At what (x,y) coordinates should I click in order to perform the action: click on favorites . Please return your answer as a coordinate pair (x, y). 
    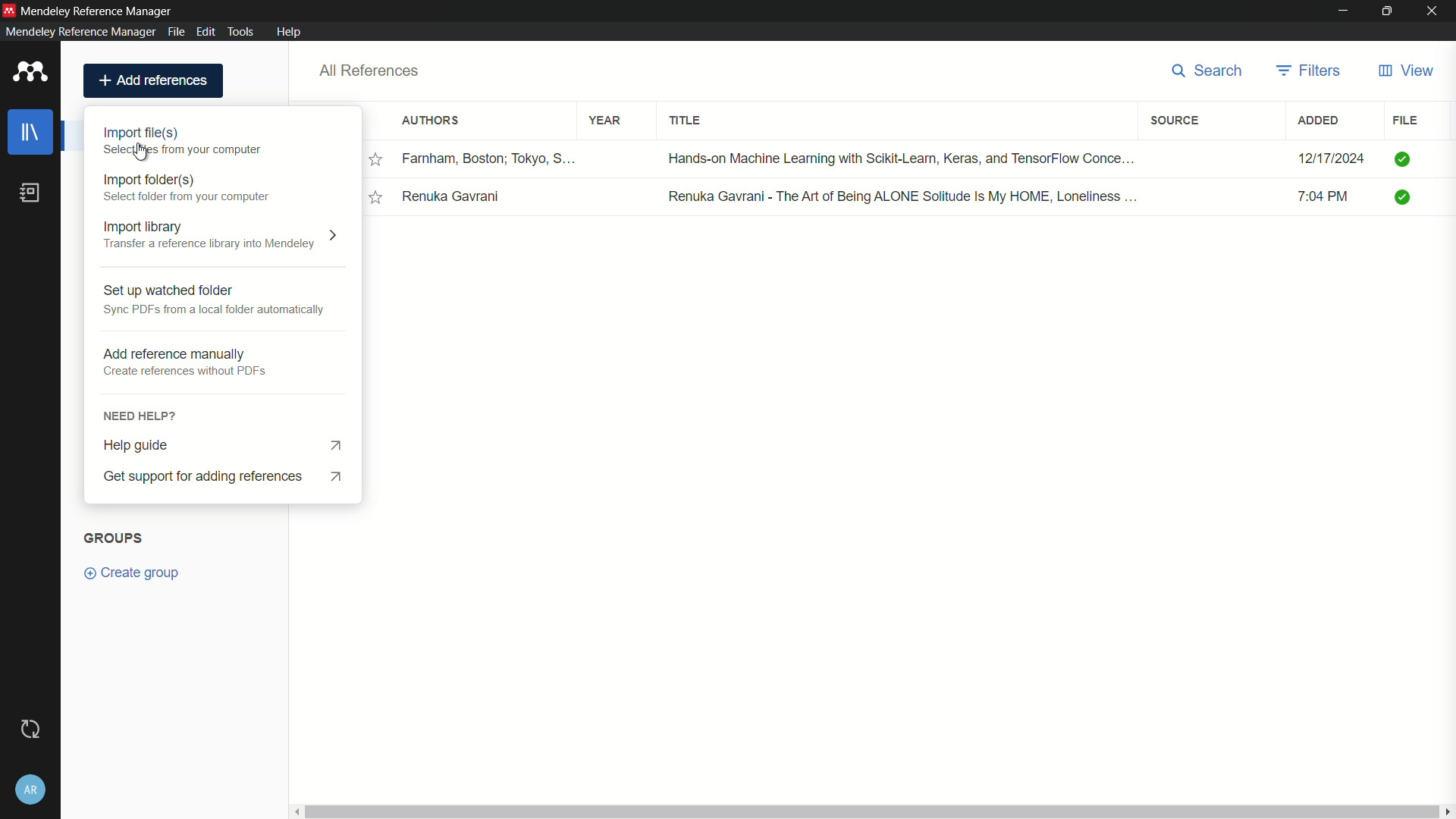
    Looking at the image, I should click on (378, 160).